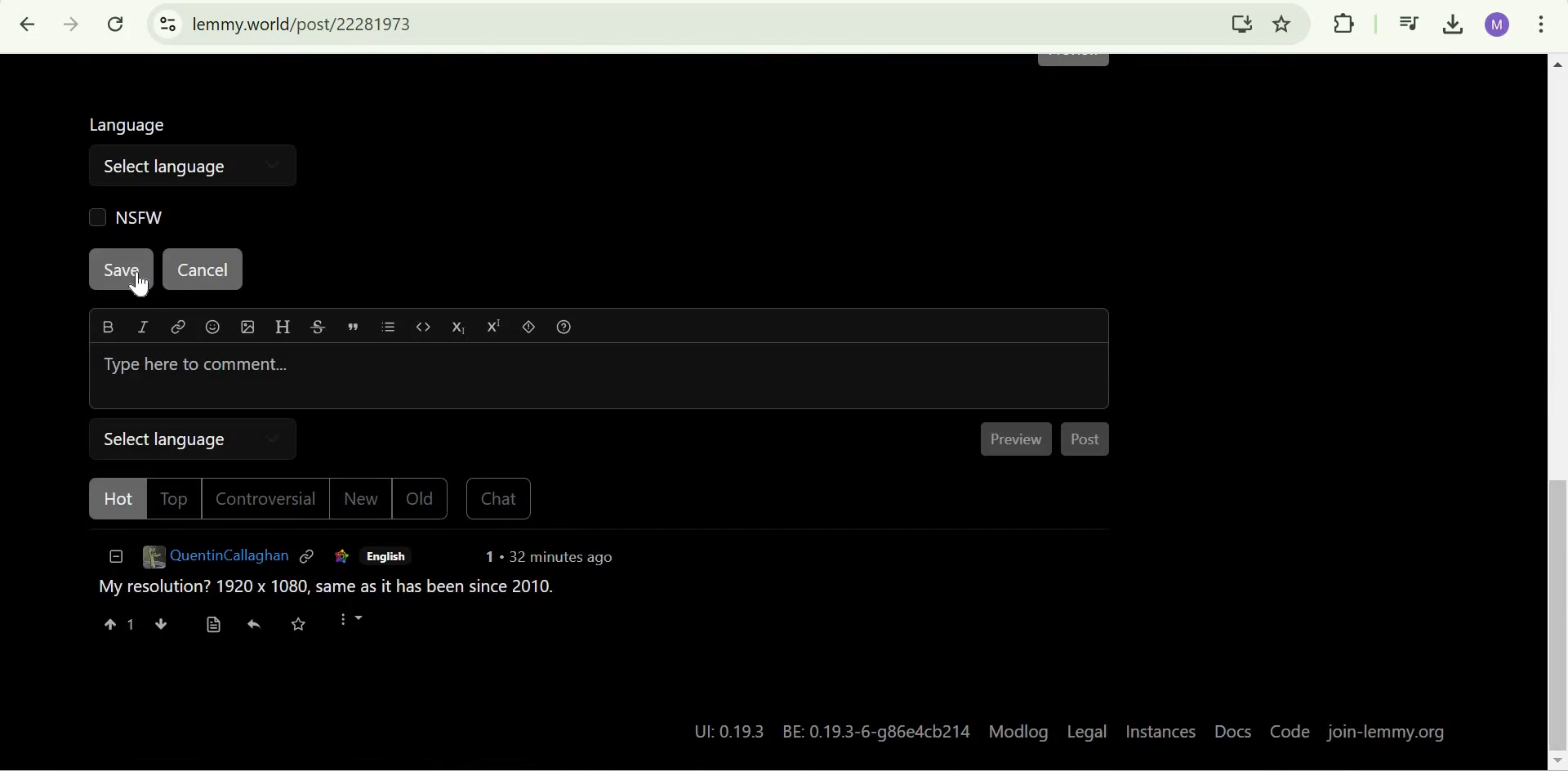 The image size is (1568, 771). Describe the element at coordinates (140, 330) in the screenshot. I see `italic` at that location.